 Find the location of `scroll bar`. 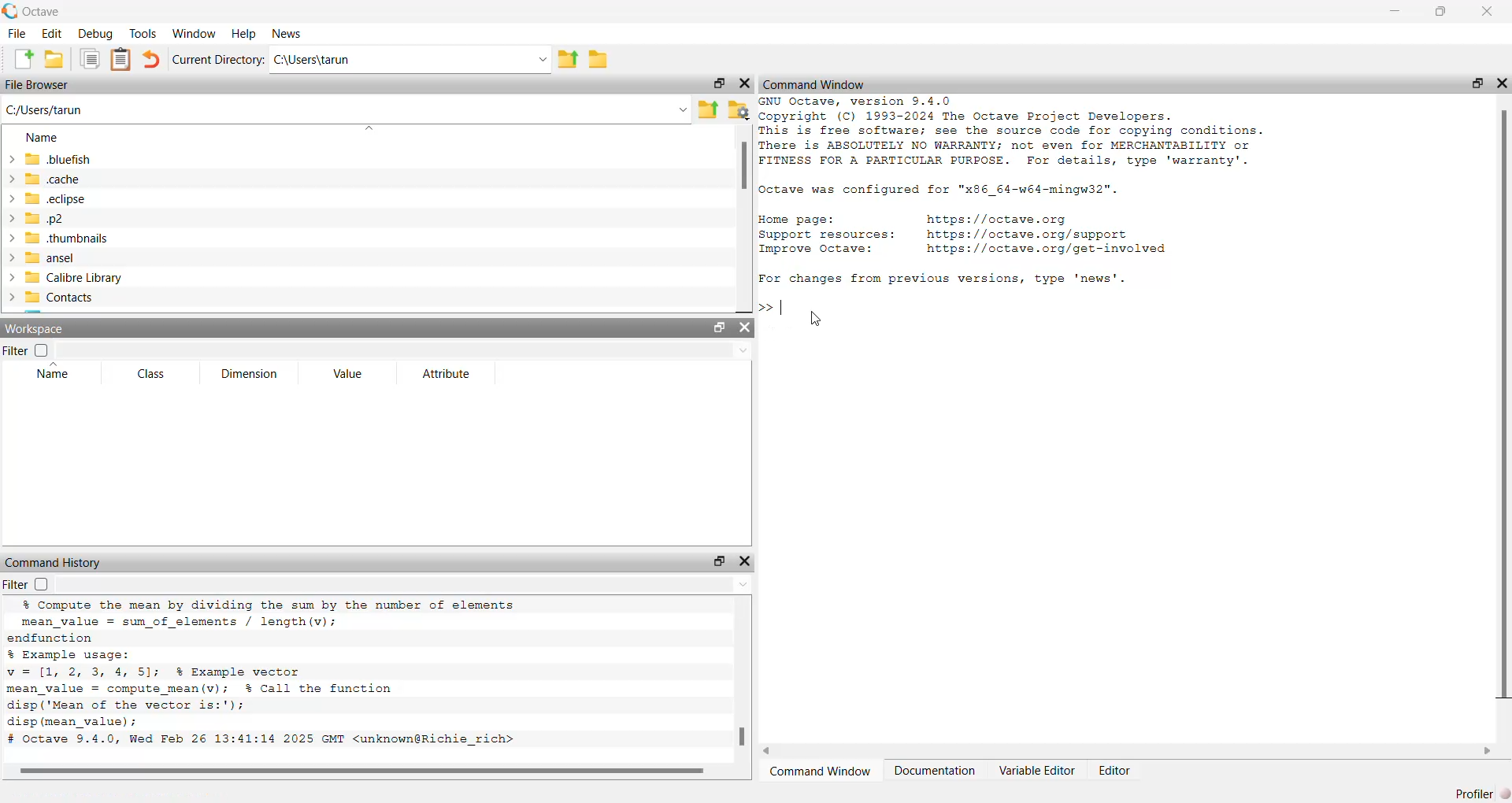

scroll bar is located at coordinates (744, 738).